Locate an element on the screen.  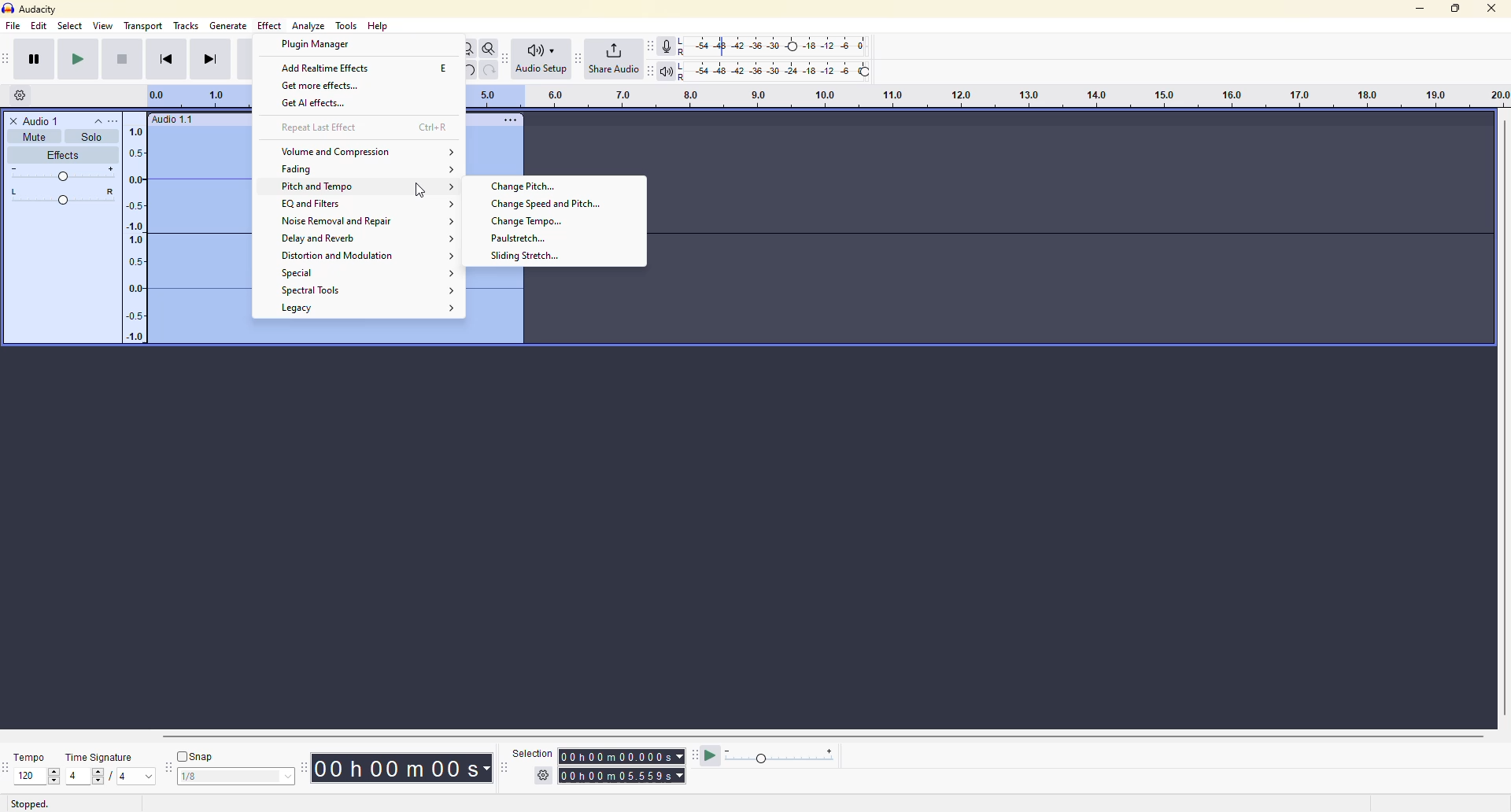
fading is located at coordinates (300, 169).